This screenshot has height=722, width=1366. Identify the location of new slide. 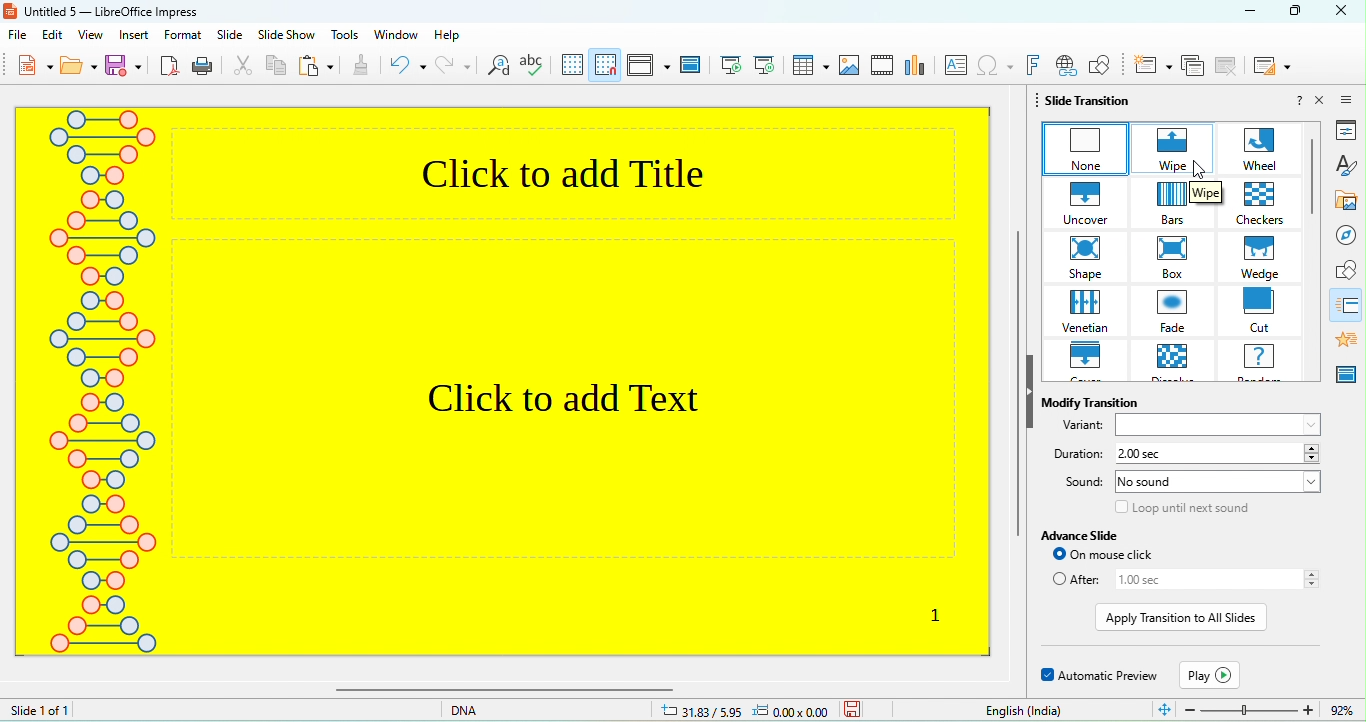
(1151, 65).